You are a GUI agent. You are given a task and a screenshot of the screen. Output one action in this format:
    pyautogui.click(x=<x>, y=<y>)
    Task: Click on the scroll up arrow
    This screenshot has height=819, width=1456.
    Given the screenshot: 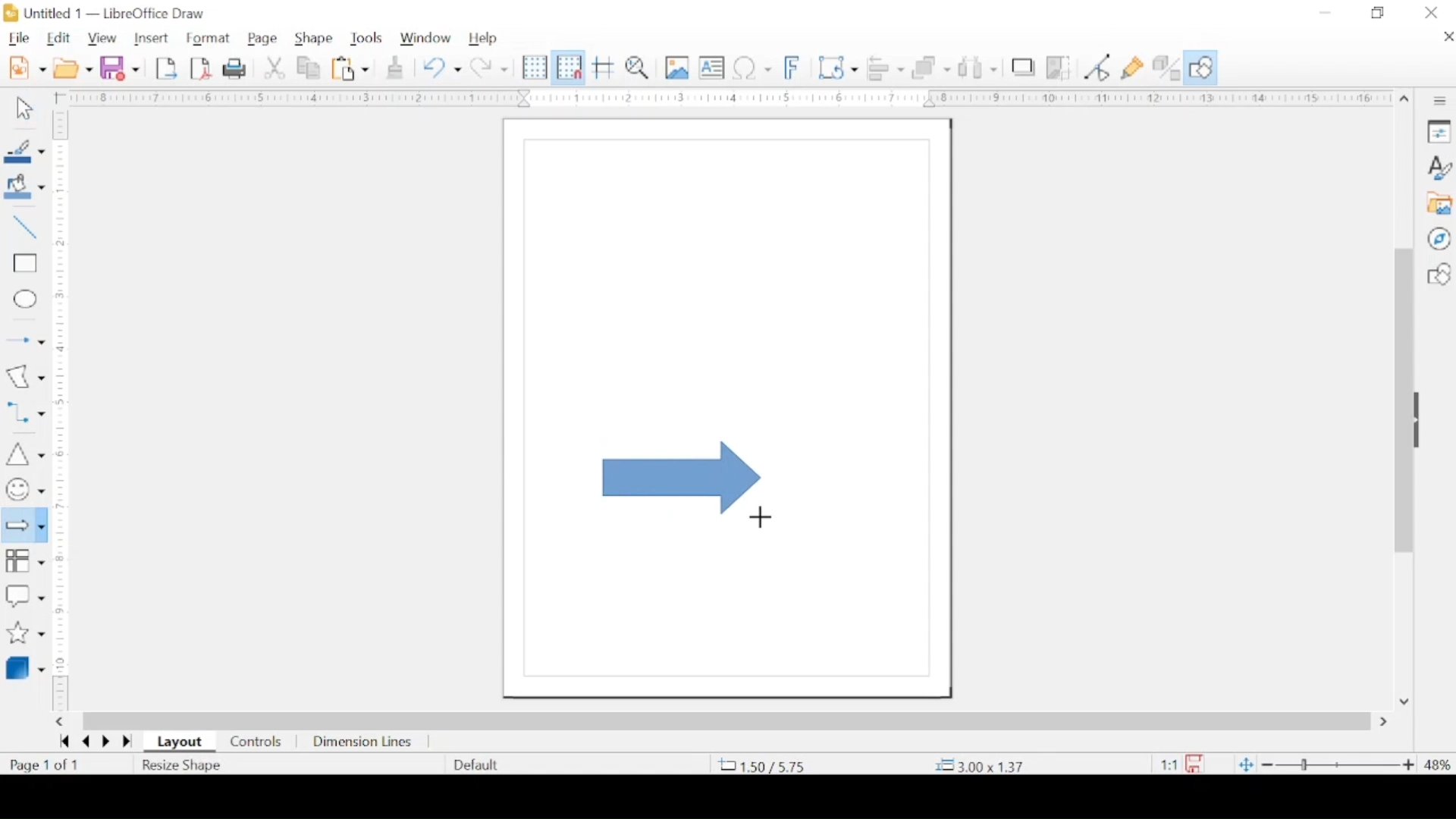 What is the action you would take?
    pyautogui.click(x=1405, y=100)
    